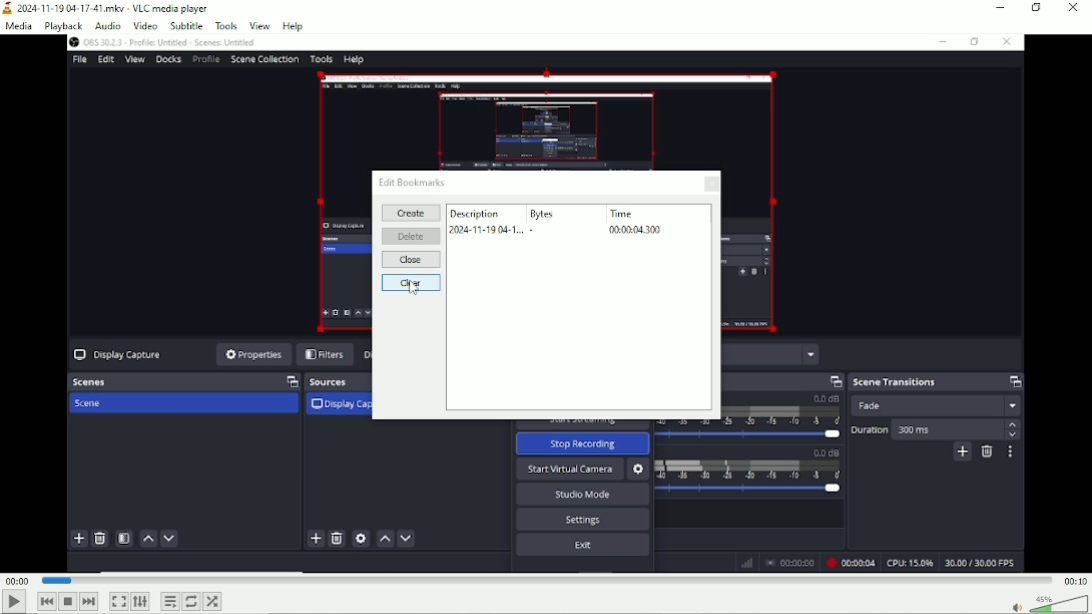 This screenshot has width=1092, height=614. I want to click on Toggle playlist, so click(169, 601).